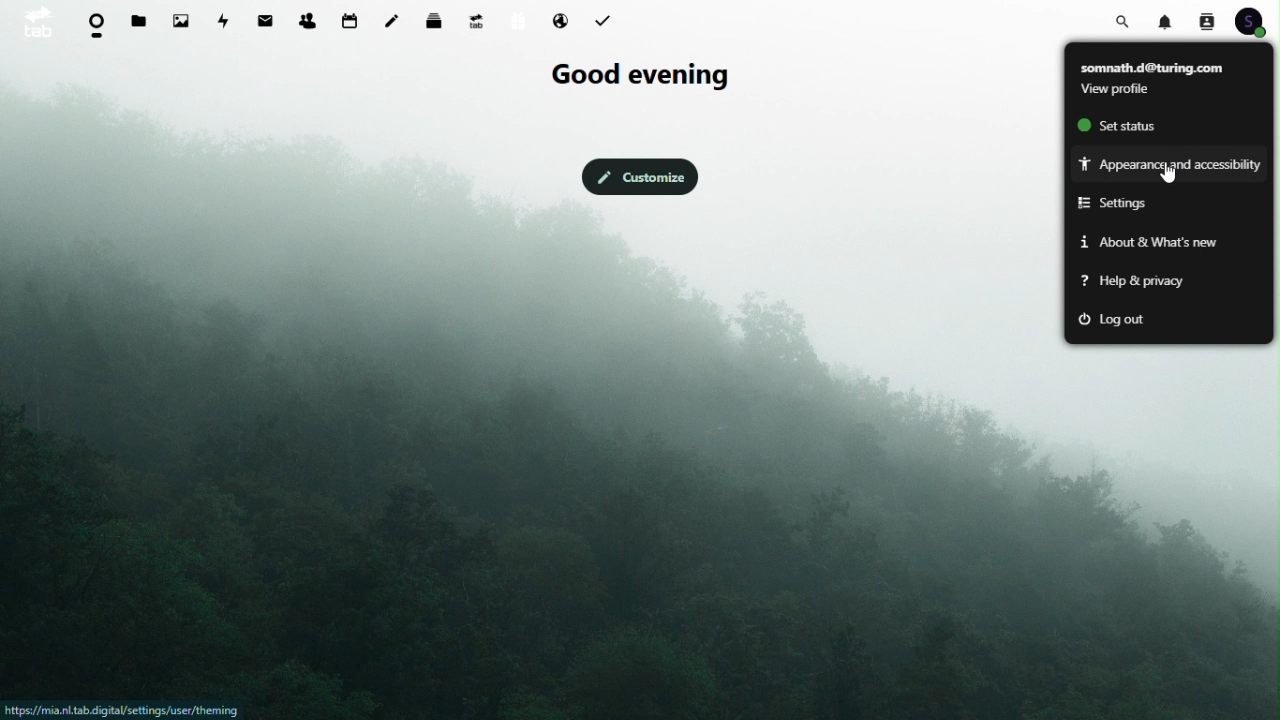 The height and width of the screenshot is (720, 1280). What do you see at coordinates (307, 17) in the screenshot?
I see `Contacts` at bounding box center [307, 17].